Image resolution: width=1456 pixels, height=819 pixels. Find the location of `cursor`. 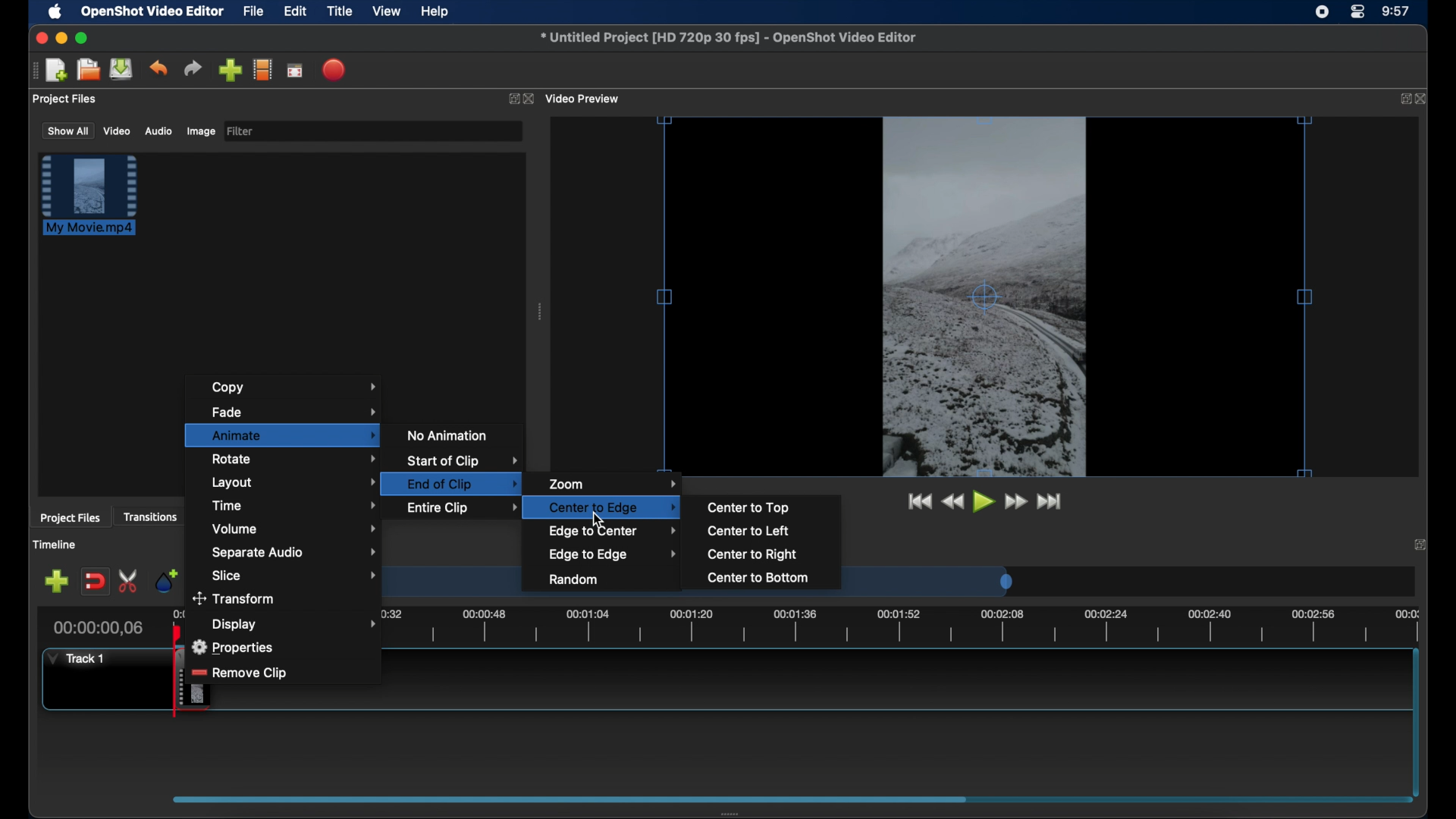

cursor is located at coordinates (598, 519).